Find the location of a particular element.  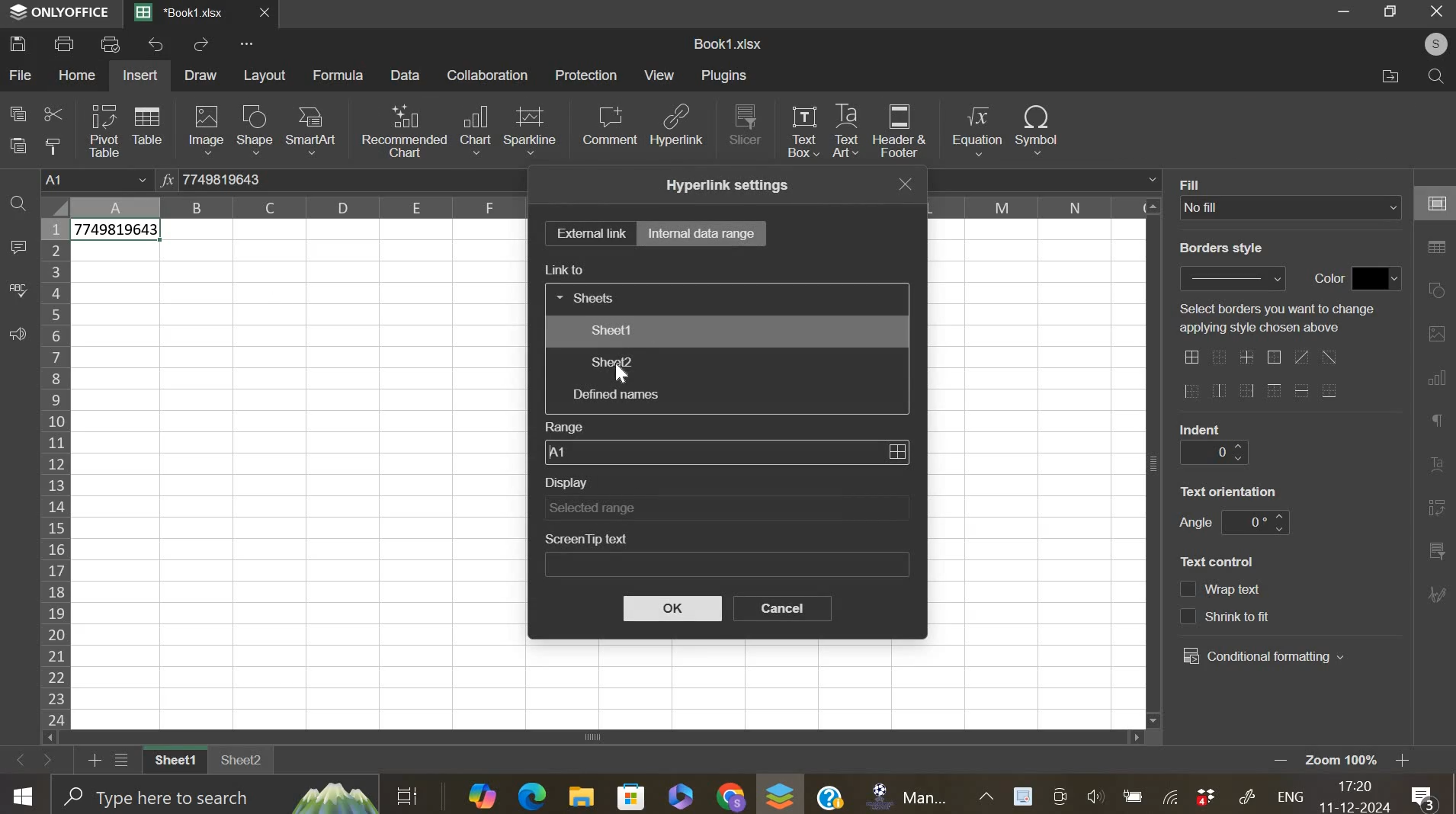

data is located at coordinates (407, 75).